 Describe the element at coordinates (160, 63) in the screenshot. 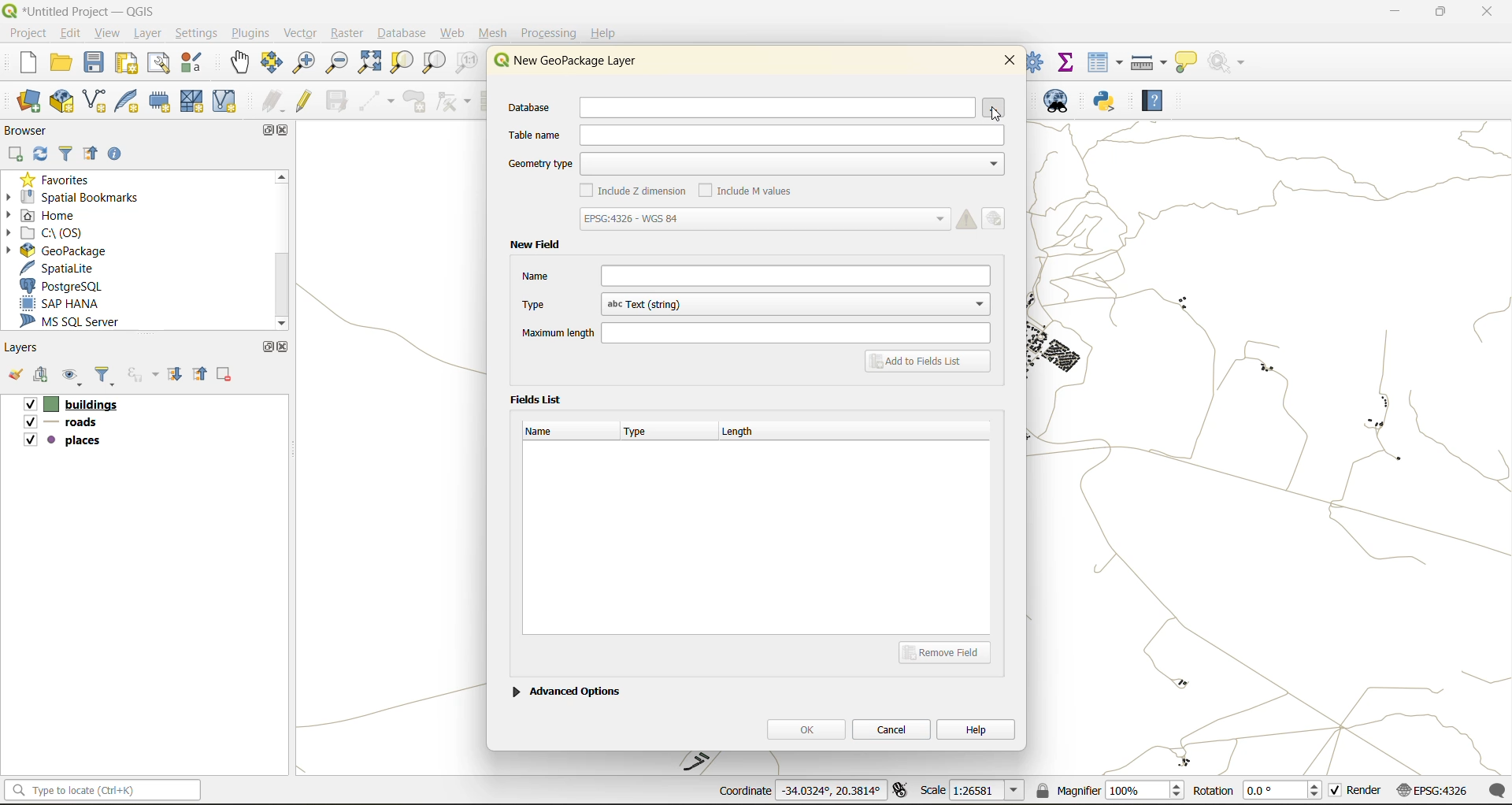

I see `show layout` at that location.